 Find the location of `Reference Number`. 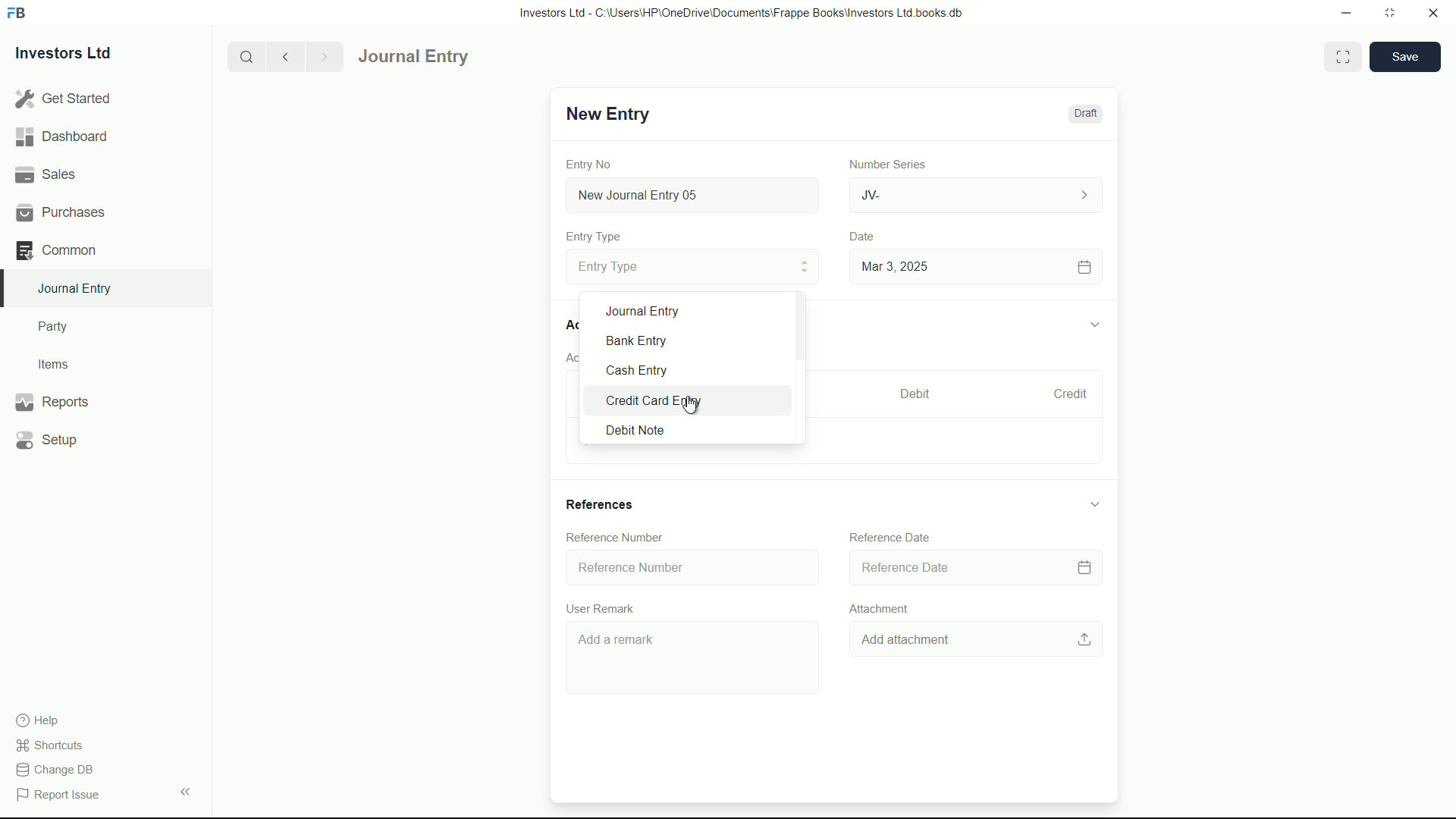

Reference Number is located at coordinates (616, 536).